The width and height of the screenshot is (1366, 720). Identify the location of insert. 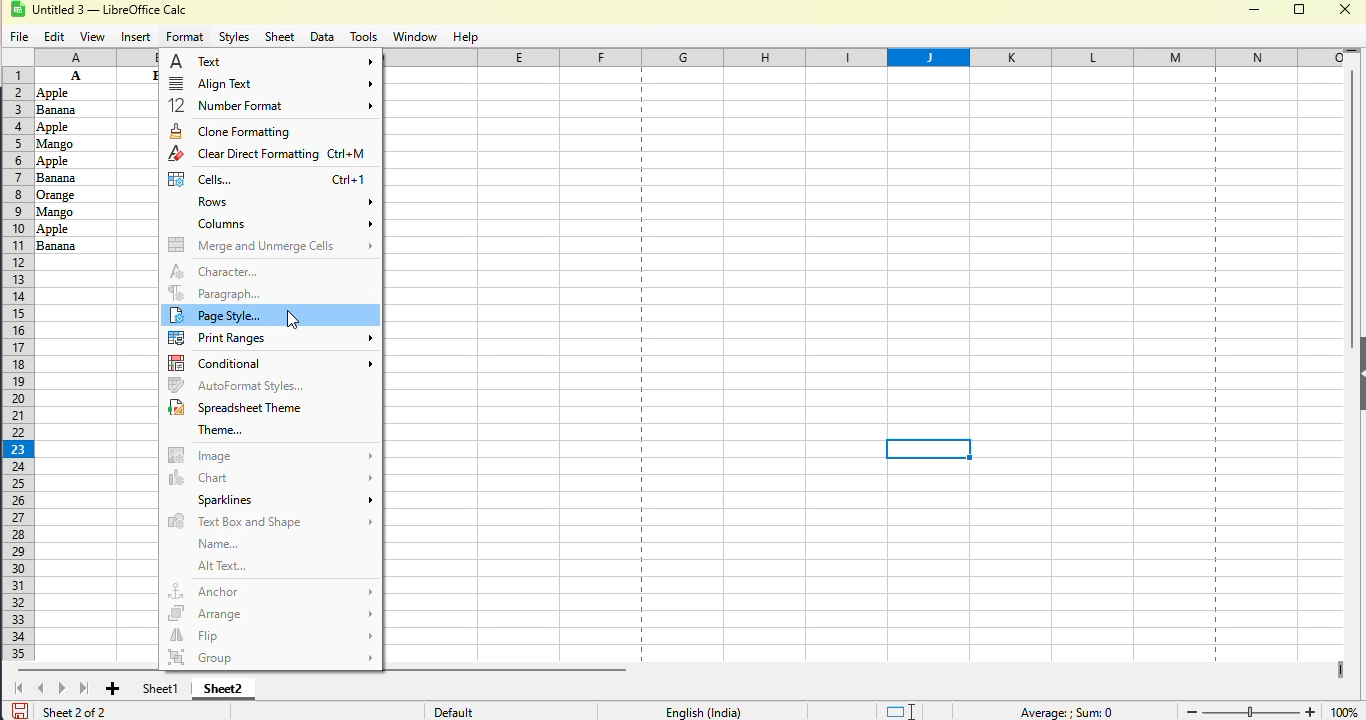
(136, 38).